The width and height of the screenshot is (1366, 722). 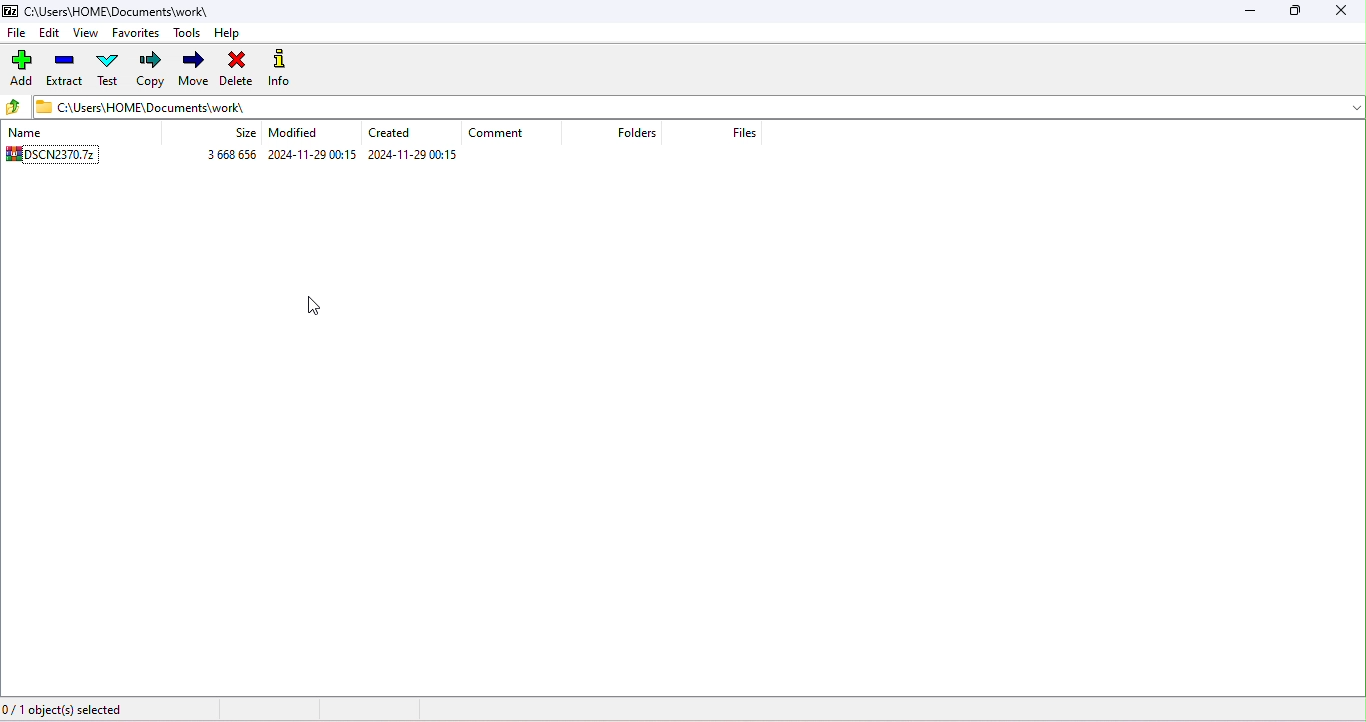 What do you see at coordinates (1256, 13) in the screenshot?
I see `minimize` at bounding box center [1256, 13].